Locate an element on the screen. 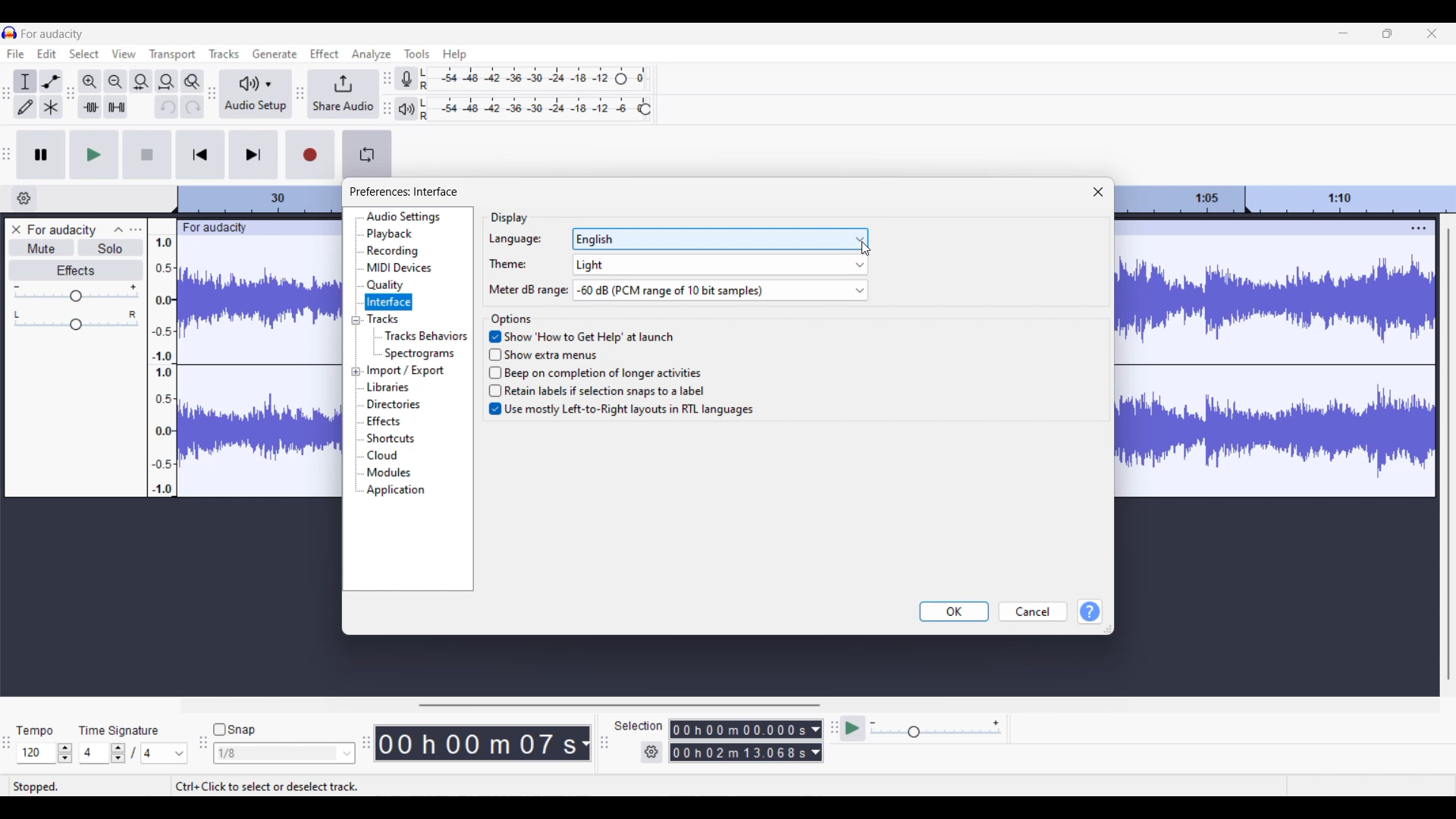 The image size is (1456, 819). Measurement  is located at coordinates (585, 744).